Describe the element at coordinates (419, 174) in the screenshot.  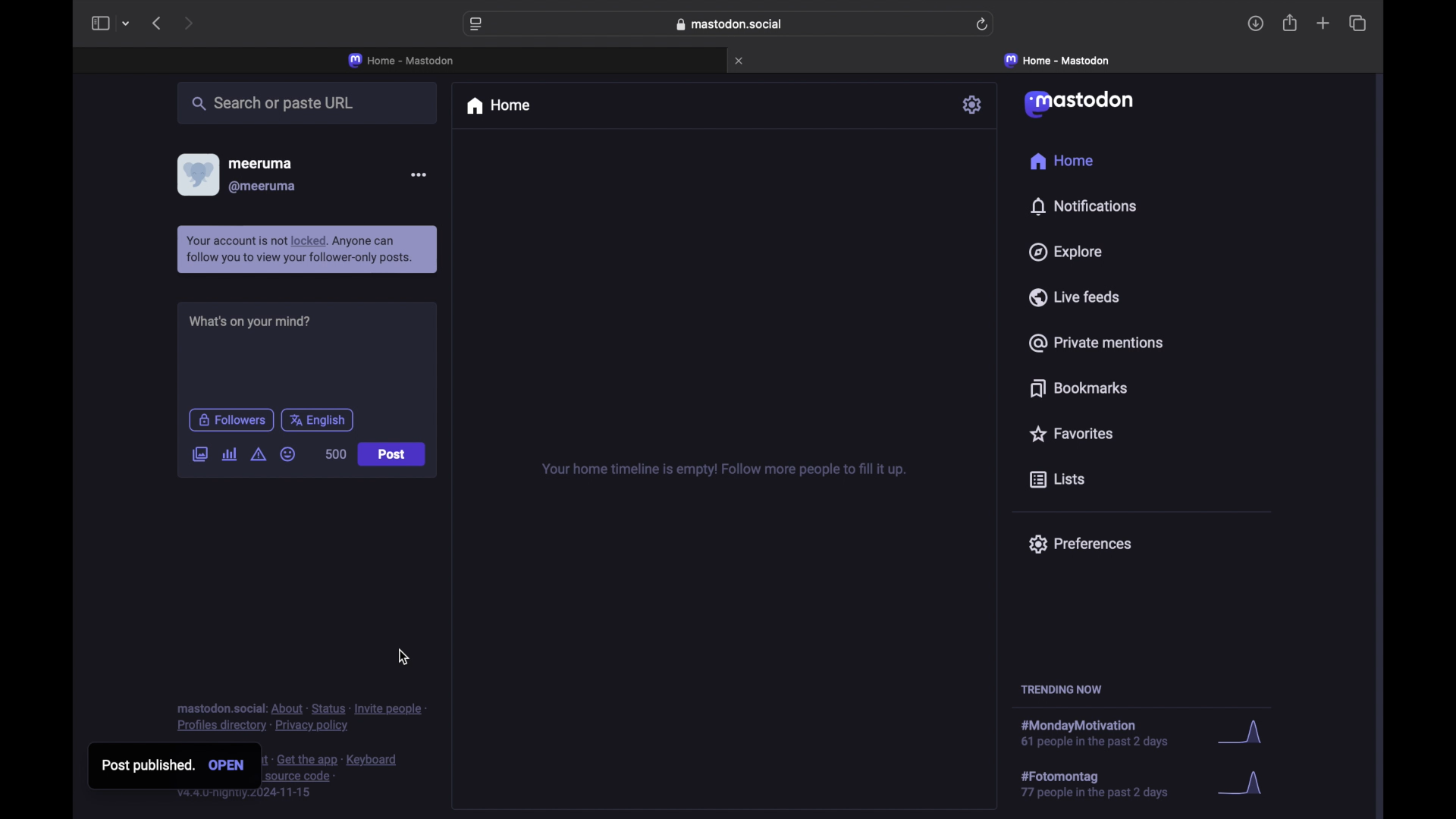
I see `more options` at that location.